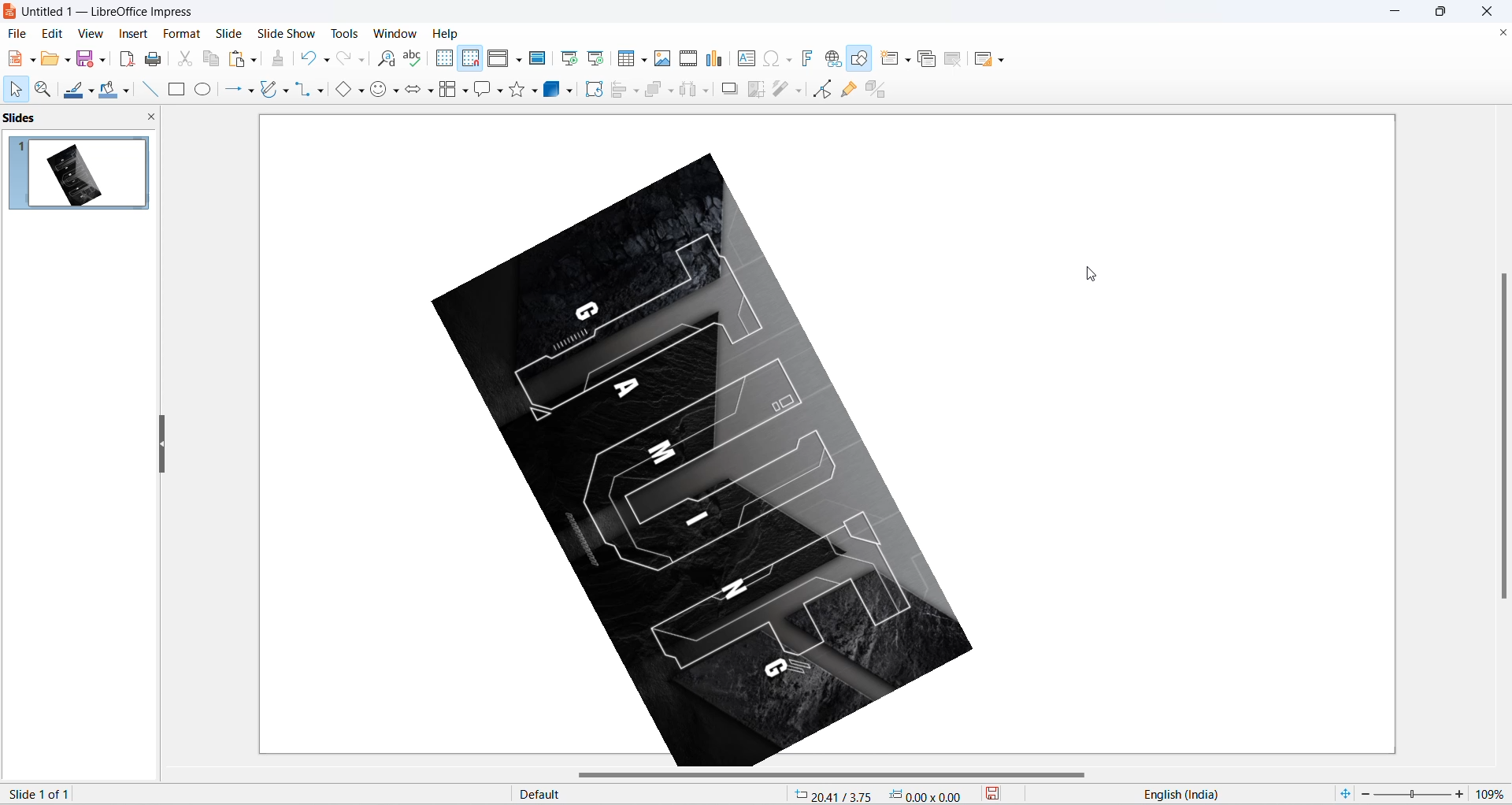 The image size is (1512, 805). I want to click on align, so click(621, 90).